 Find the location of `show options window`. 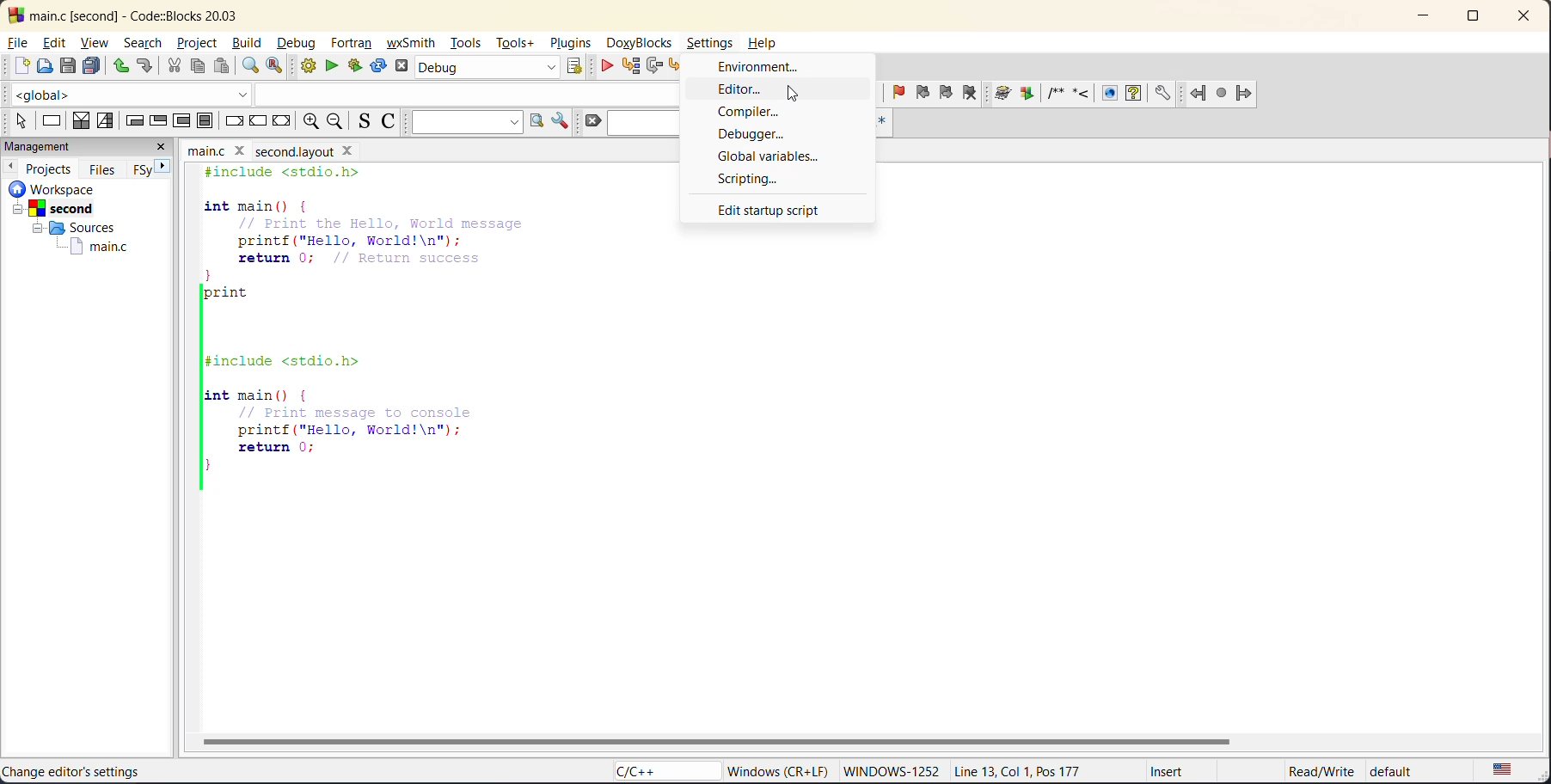

show options window is located at coordinates (564, 121).